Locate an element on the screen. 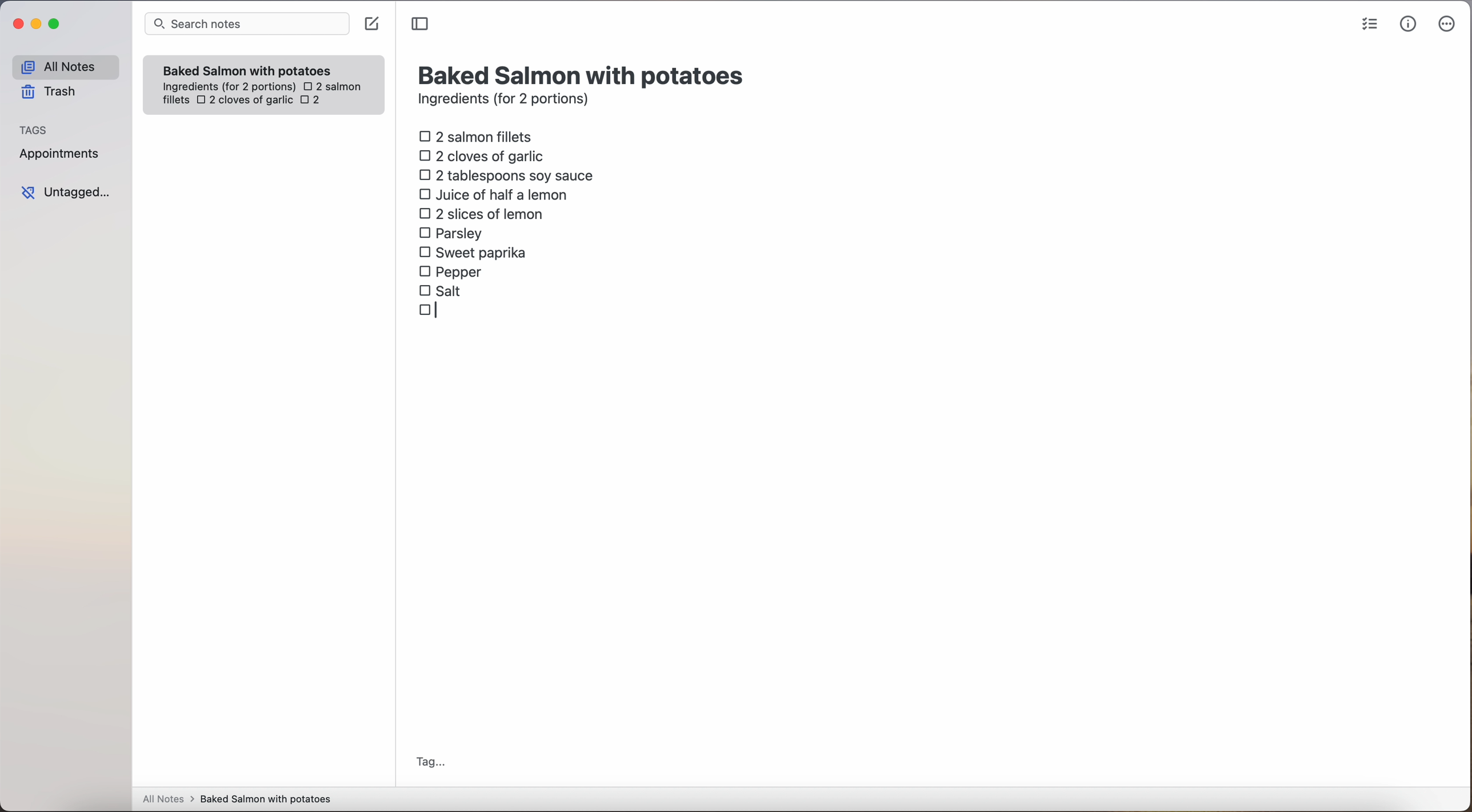 The height and width of the screenshot is (812, 1472). check list is located at coordinates (1370, 25).